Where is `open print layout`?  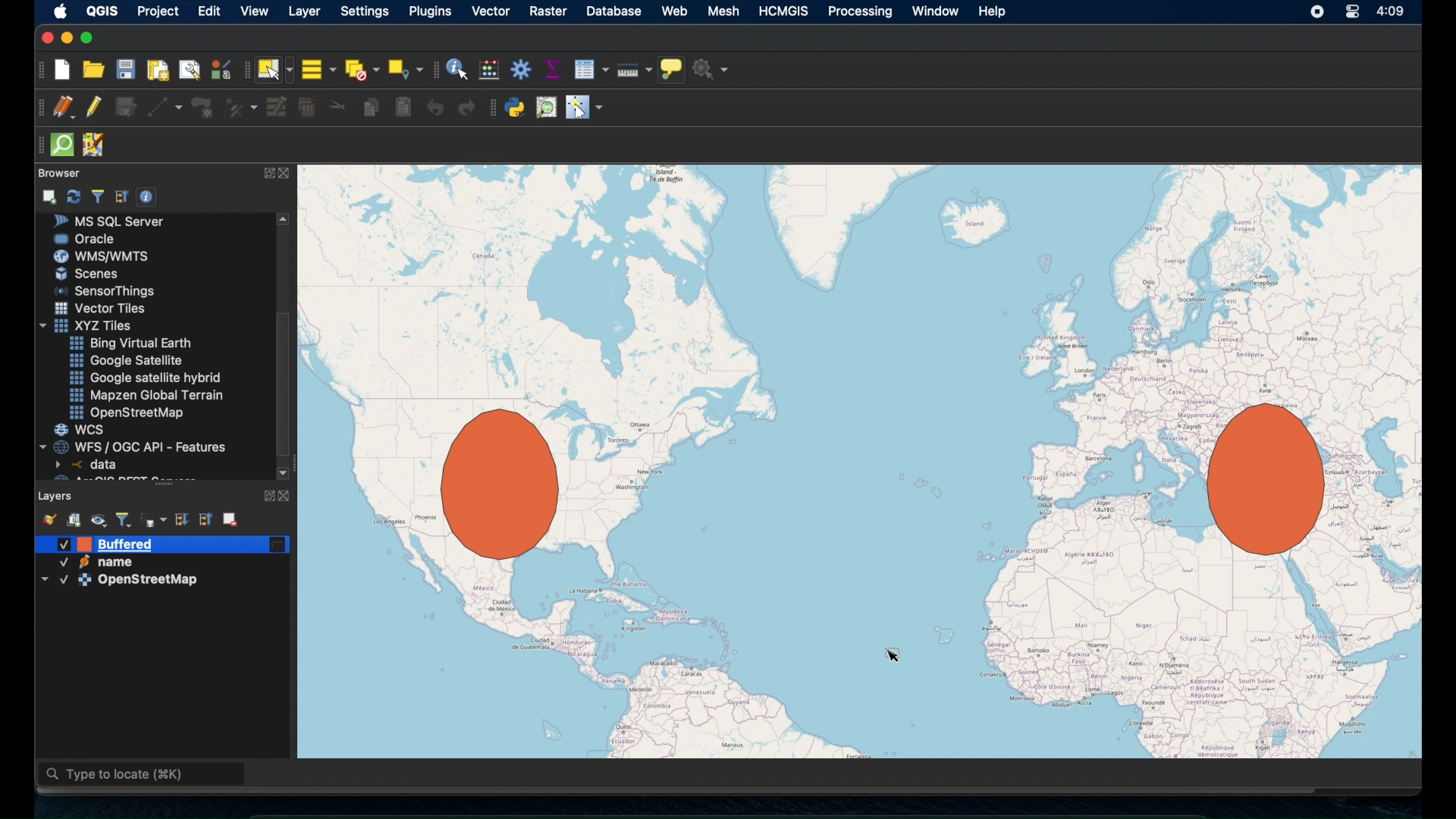 open print layout is located at coordinates (158, 72).